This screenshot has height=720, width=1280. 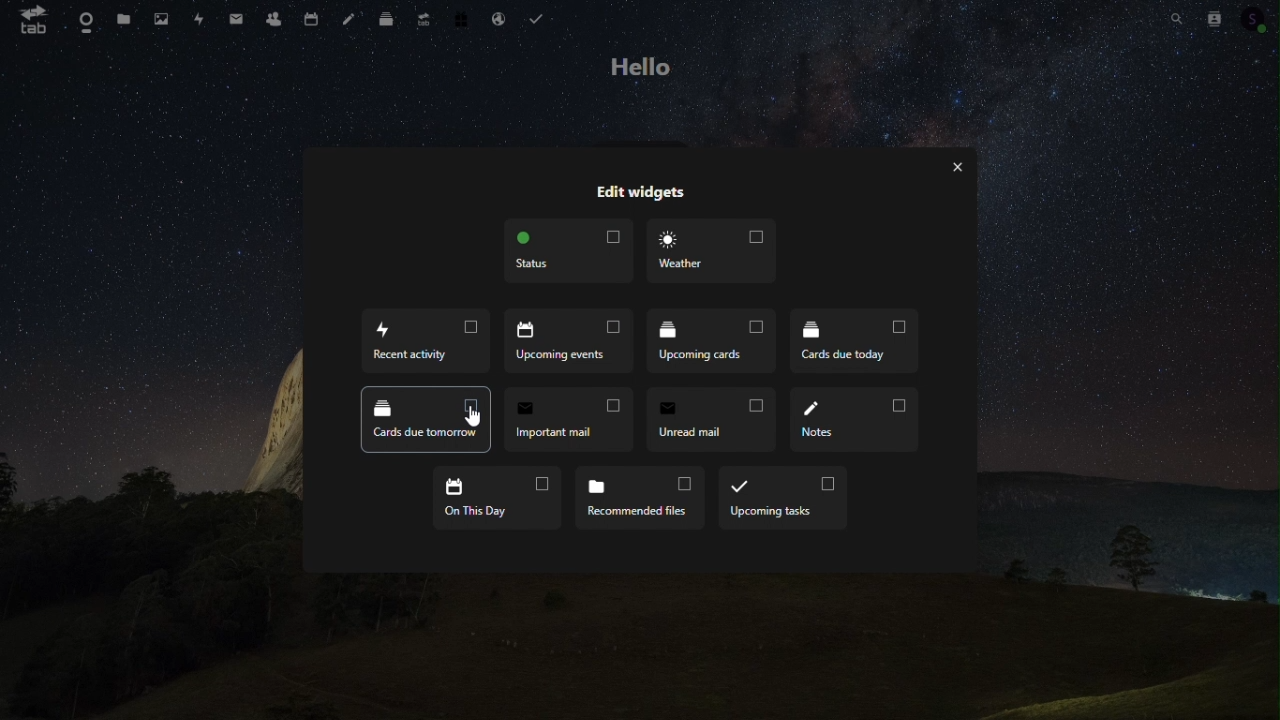 I want to click on Hello, so click(x=646, y=65).